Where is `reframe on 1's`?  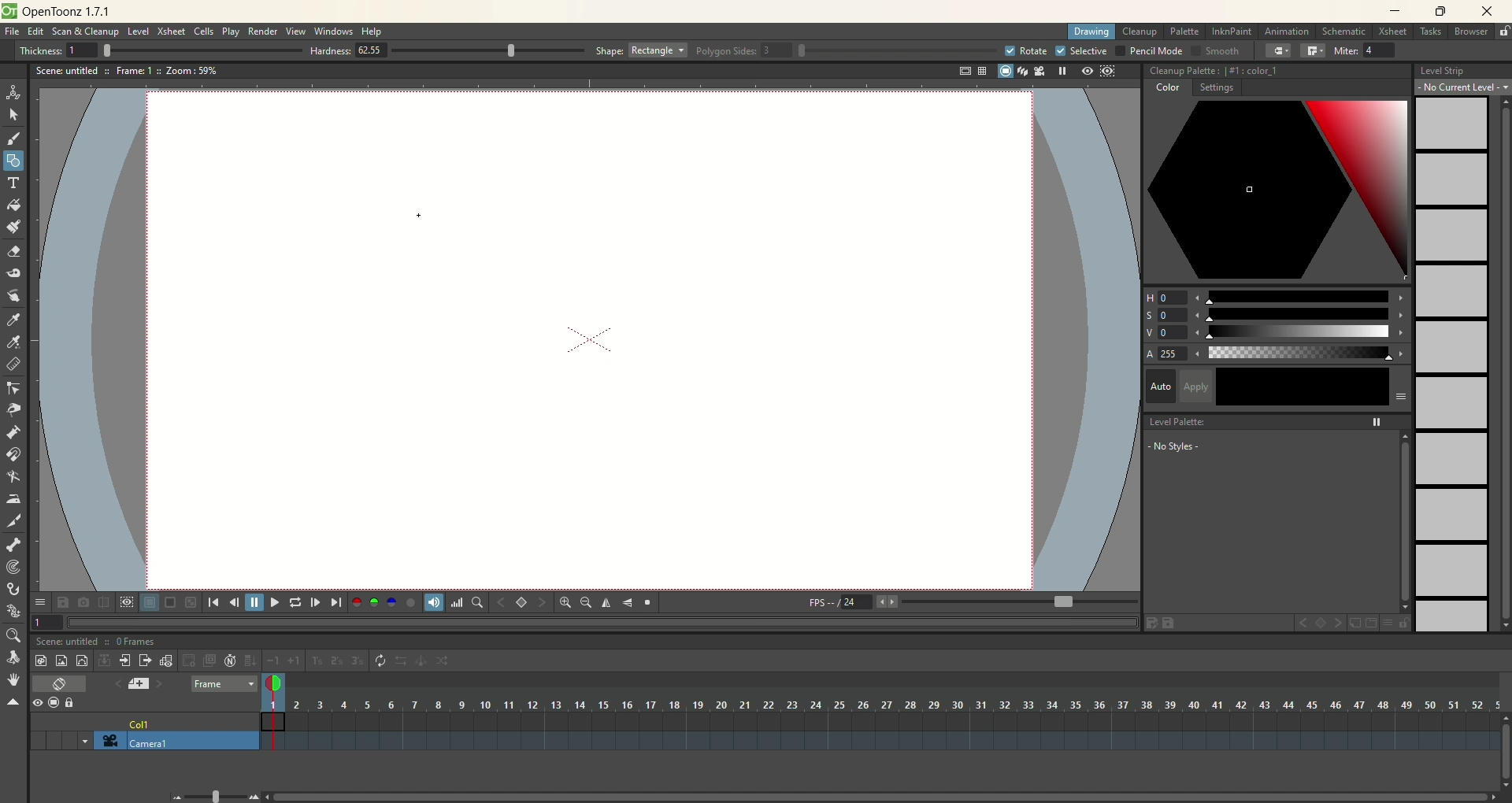 reframe on 1's is located at coordinates (317, 661).